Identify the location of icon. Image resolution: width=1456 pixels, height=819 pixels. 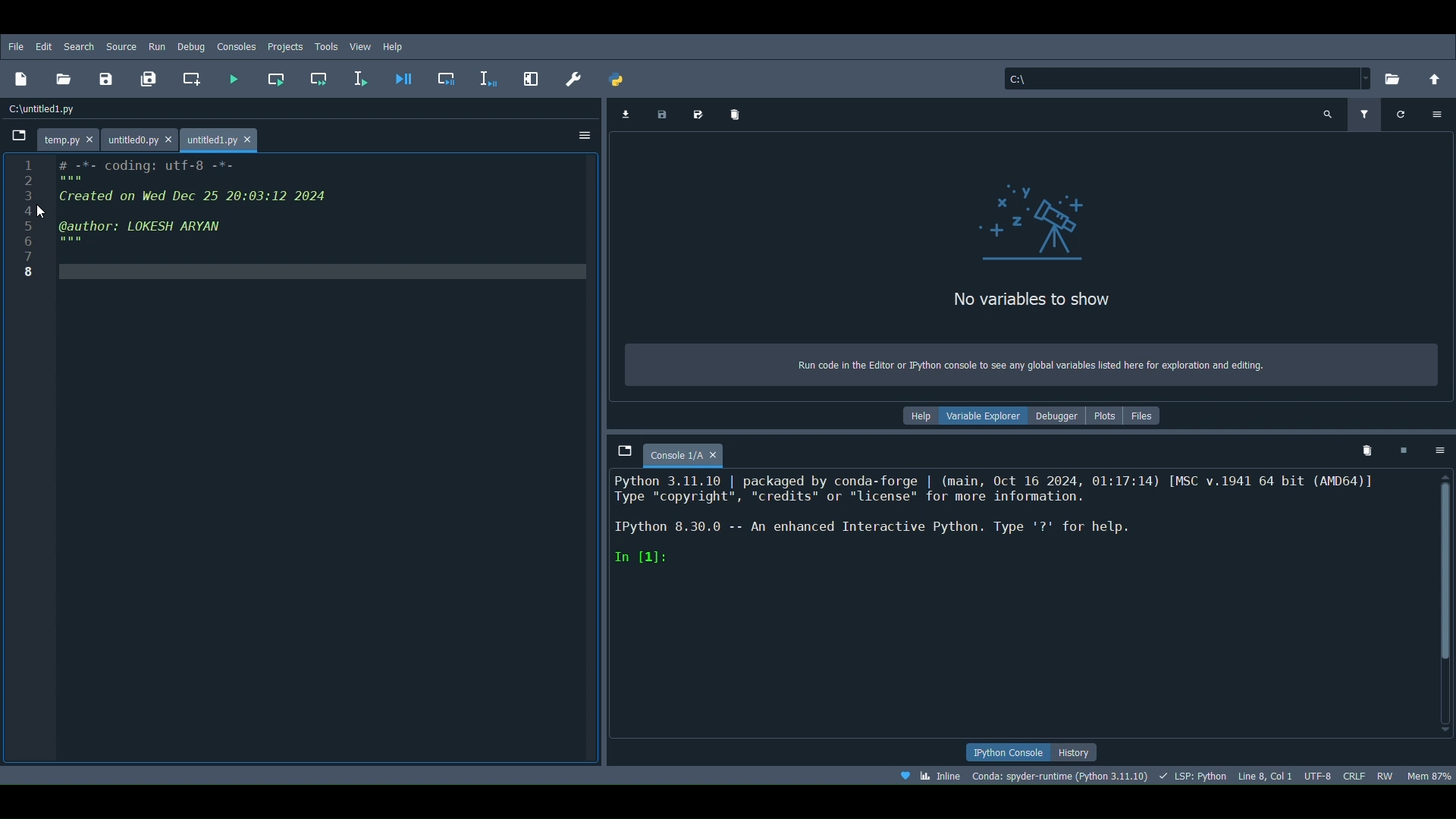
(1036, 223).